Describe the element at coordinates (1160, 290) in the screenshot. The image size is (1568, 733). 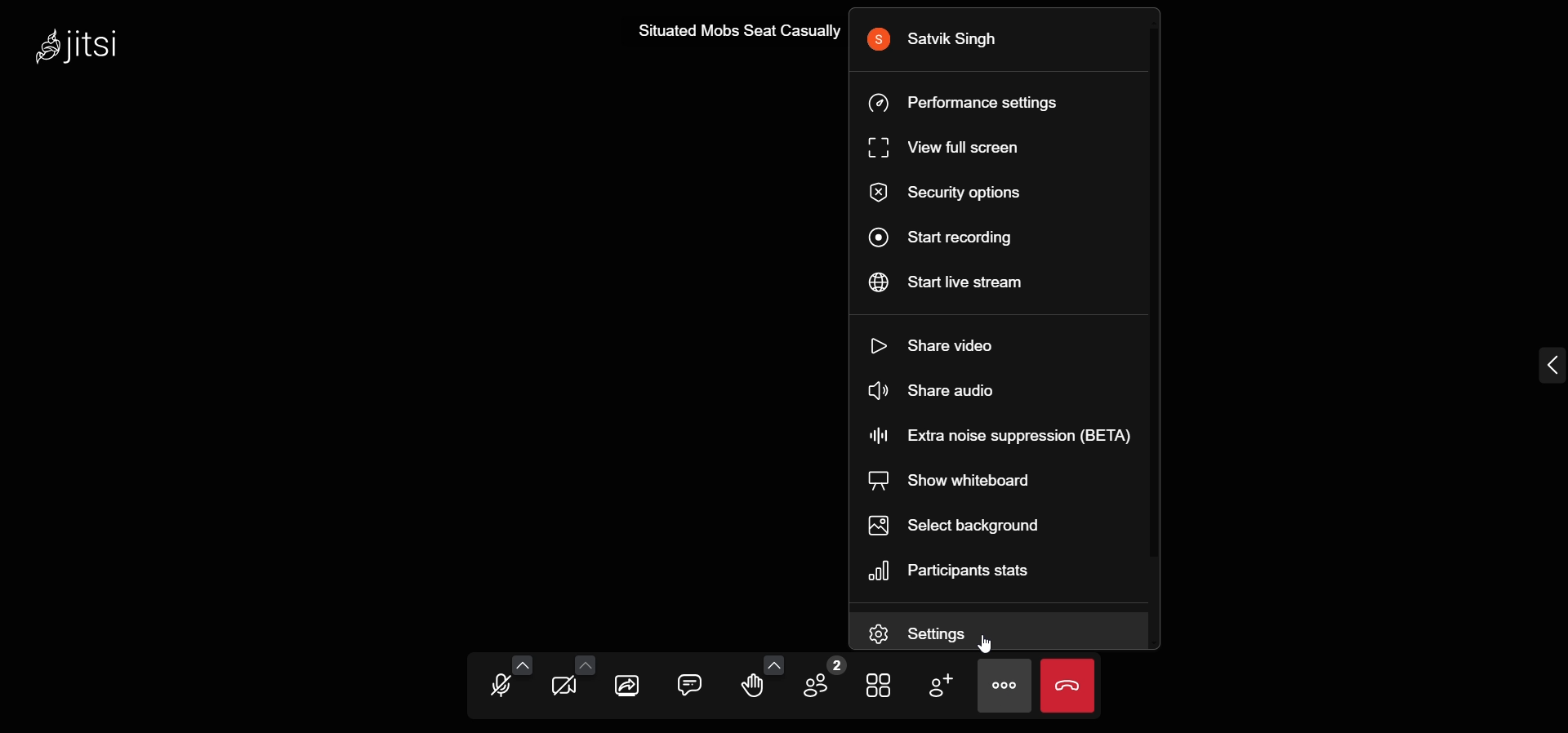
I see `scroll bar` at that location.